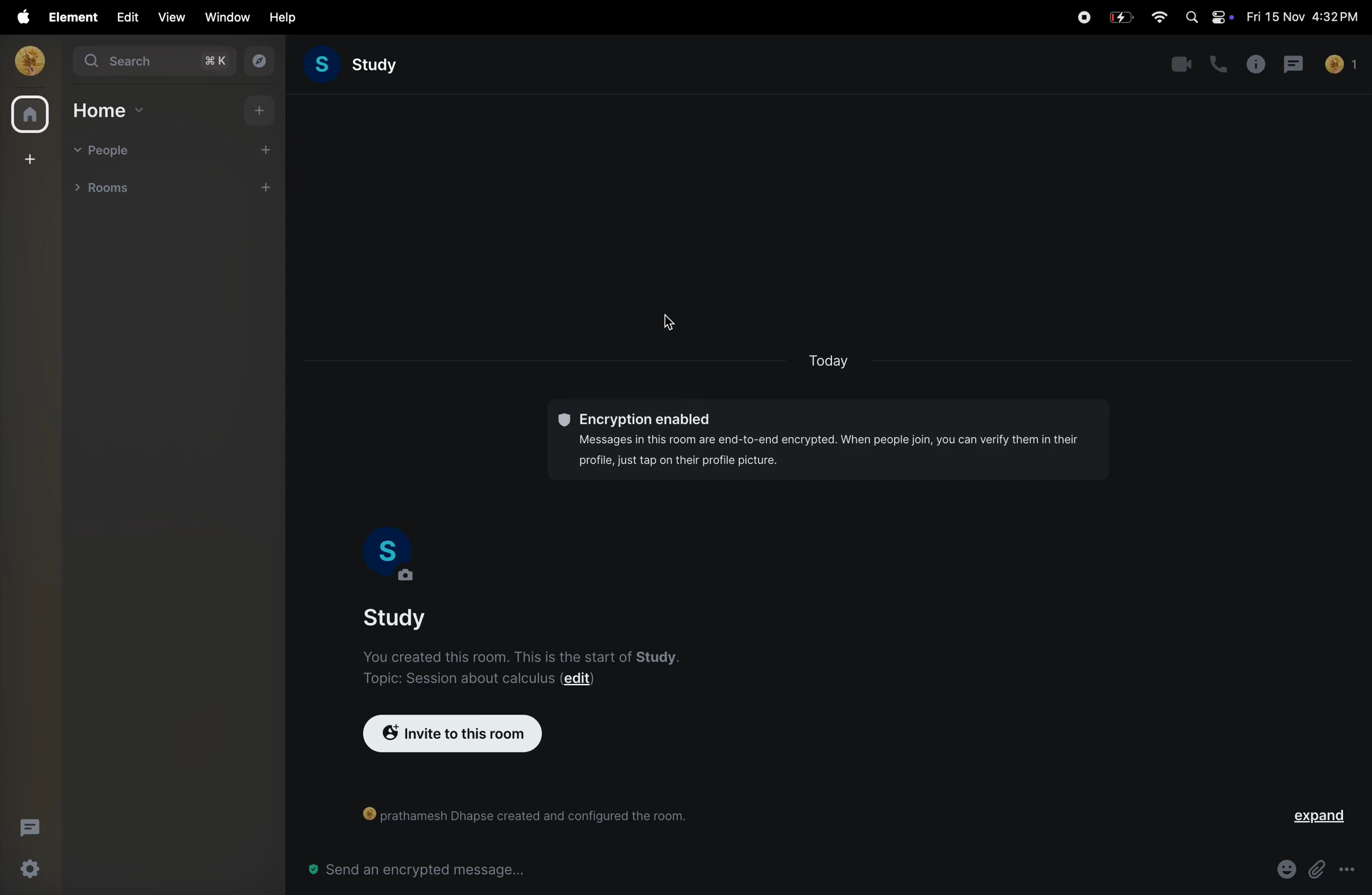 The width and height of the screenshot is (1372, 895). Describe the element at coordinates (410, 617) in the screenshot. I see `room name` at that location.